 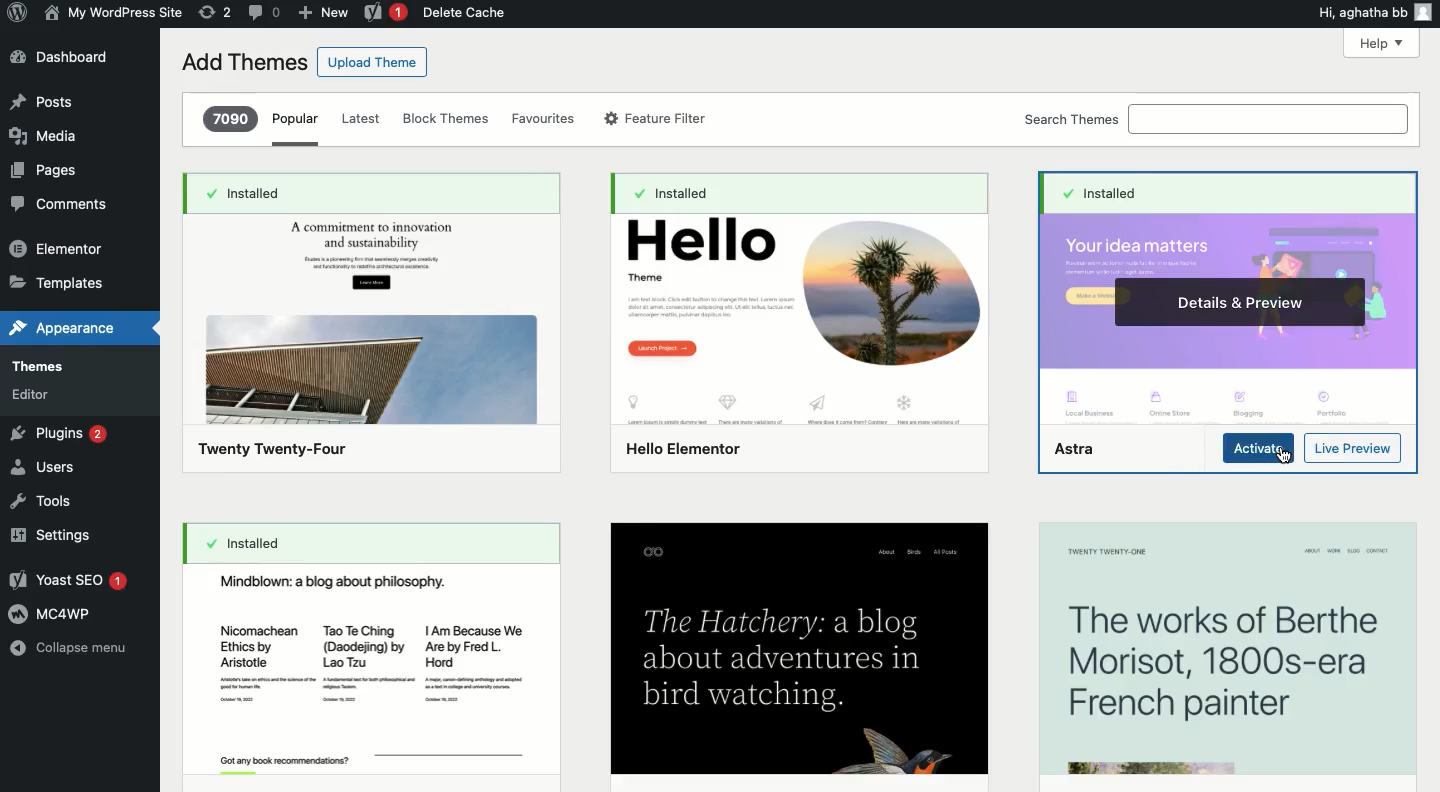 I want to click on Installed, so click(x=377, y=193).